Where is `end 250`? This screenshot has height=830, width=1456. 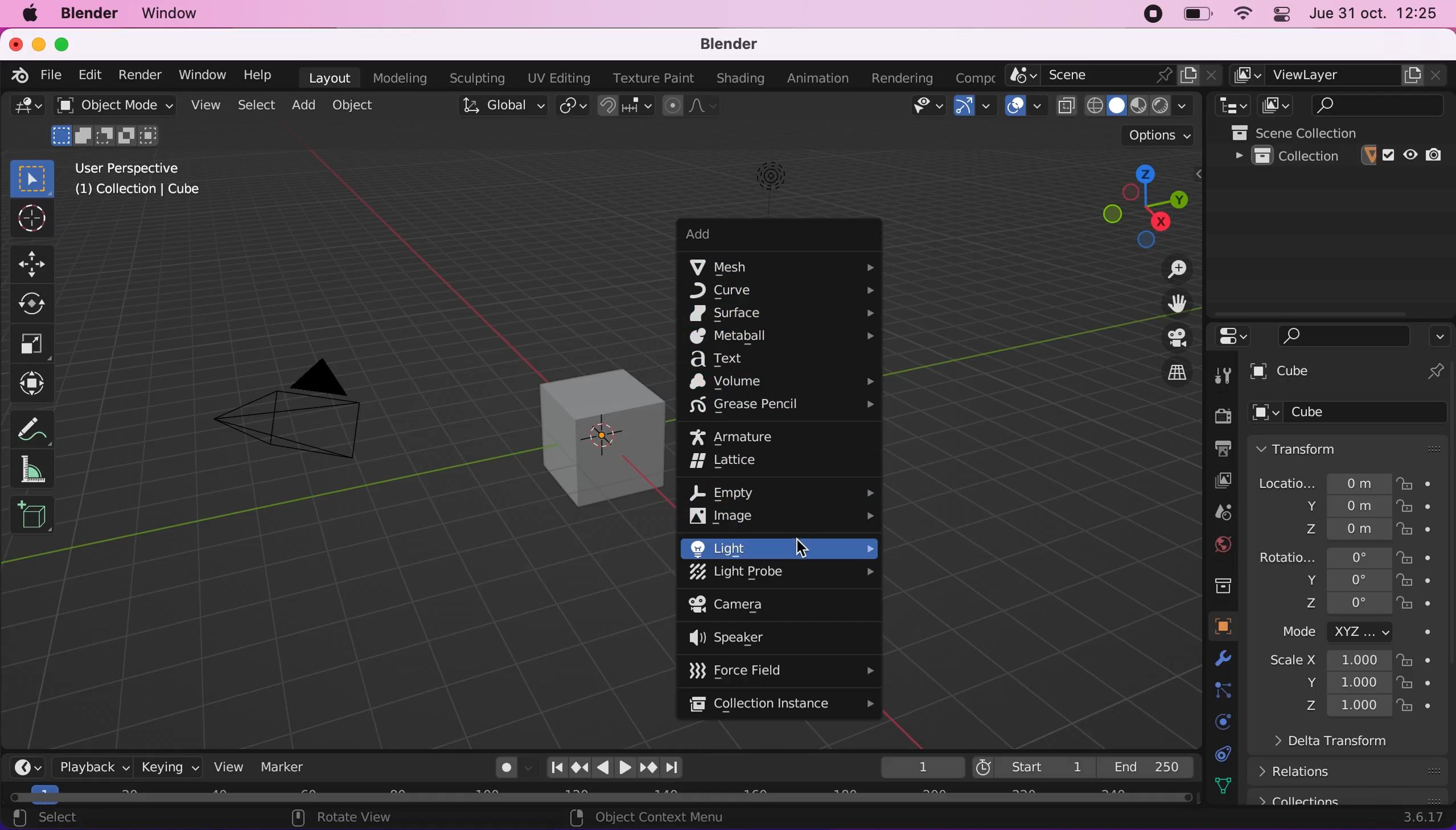 end 250 is located at coordinates (1145, 765).